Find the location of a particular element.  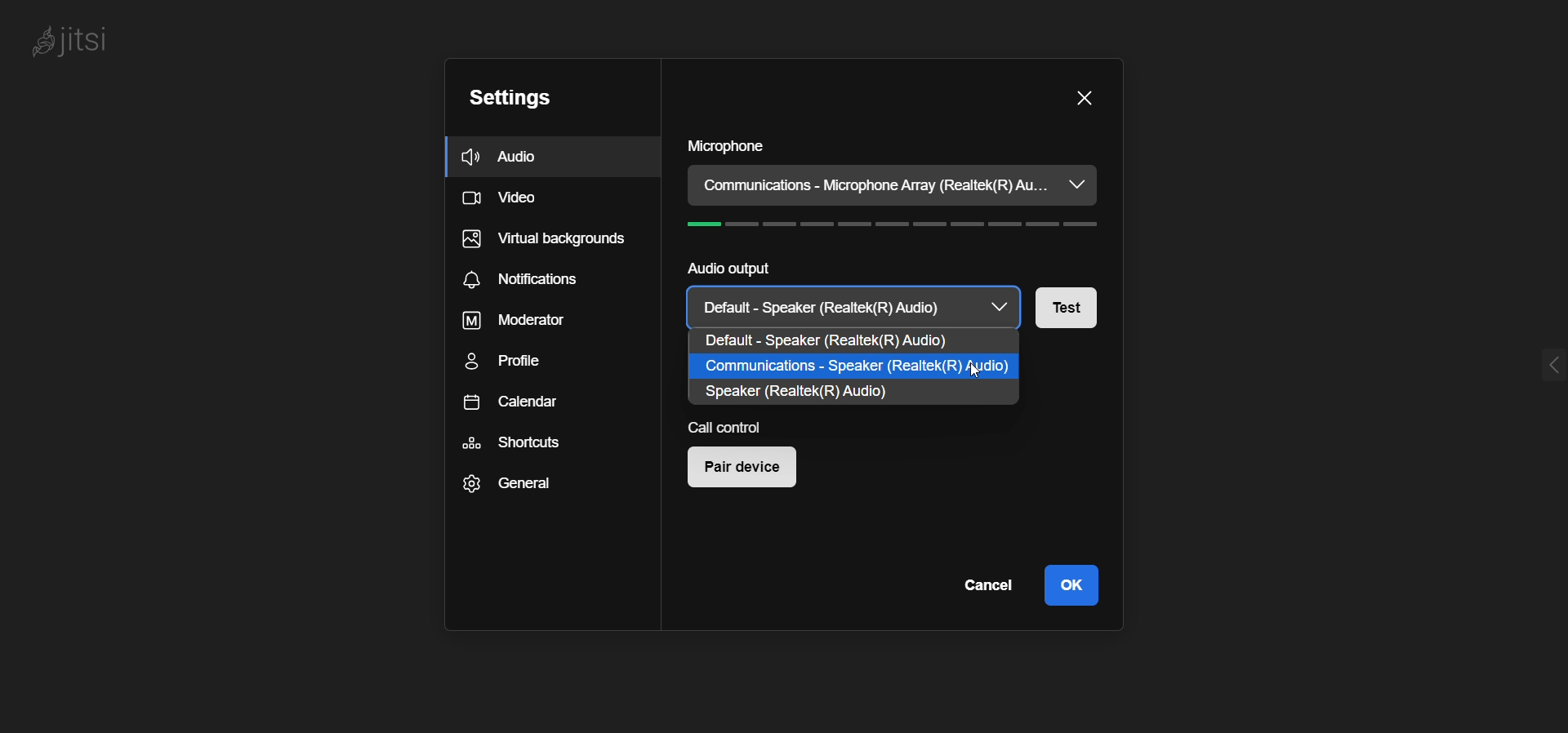

realtek speaker is located at coordinates (807, 395).